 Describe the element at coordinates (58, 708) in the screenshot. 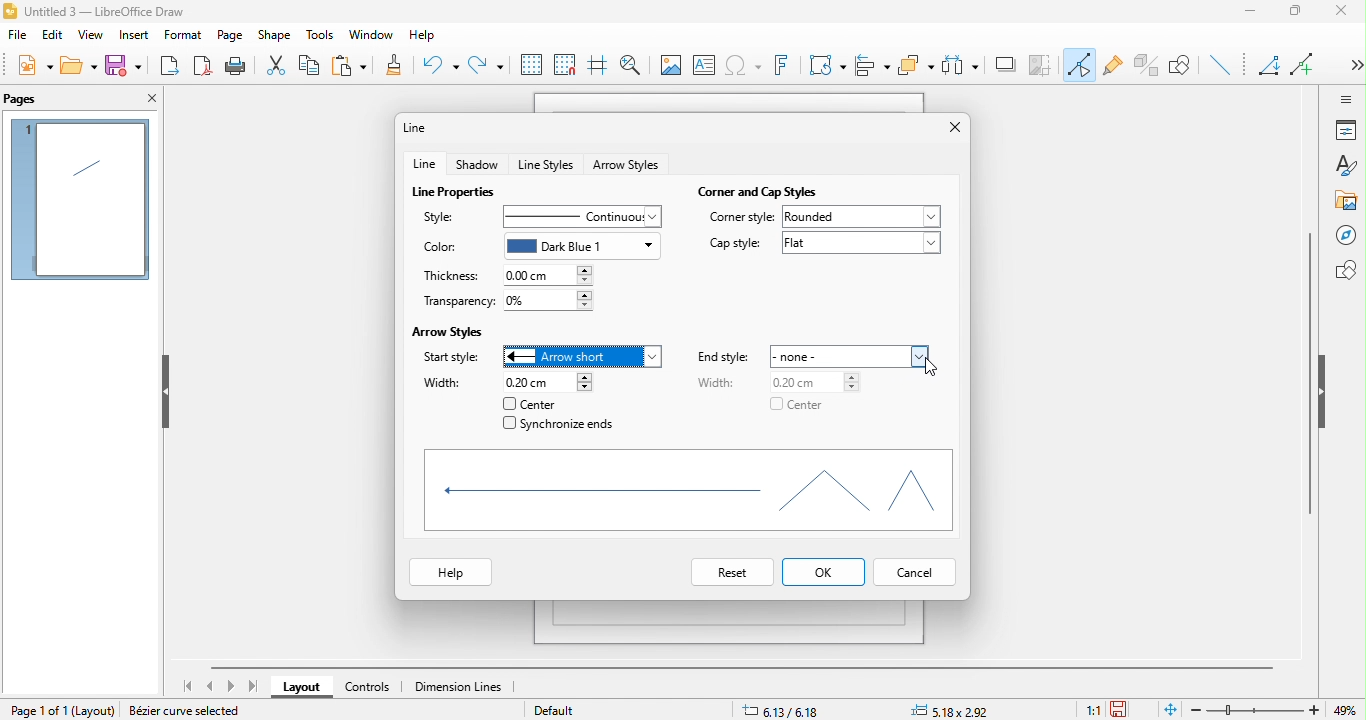

I see `page 1 of 1 (Layout)` at that location.